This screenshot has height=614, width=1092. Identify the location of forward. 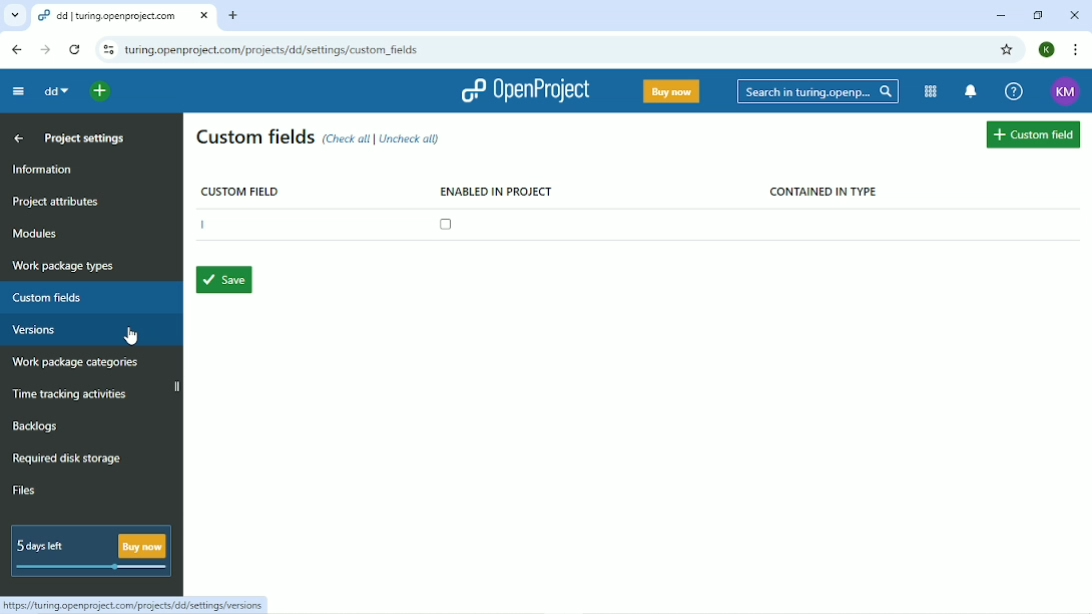
(42, 50).